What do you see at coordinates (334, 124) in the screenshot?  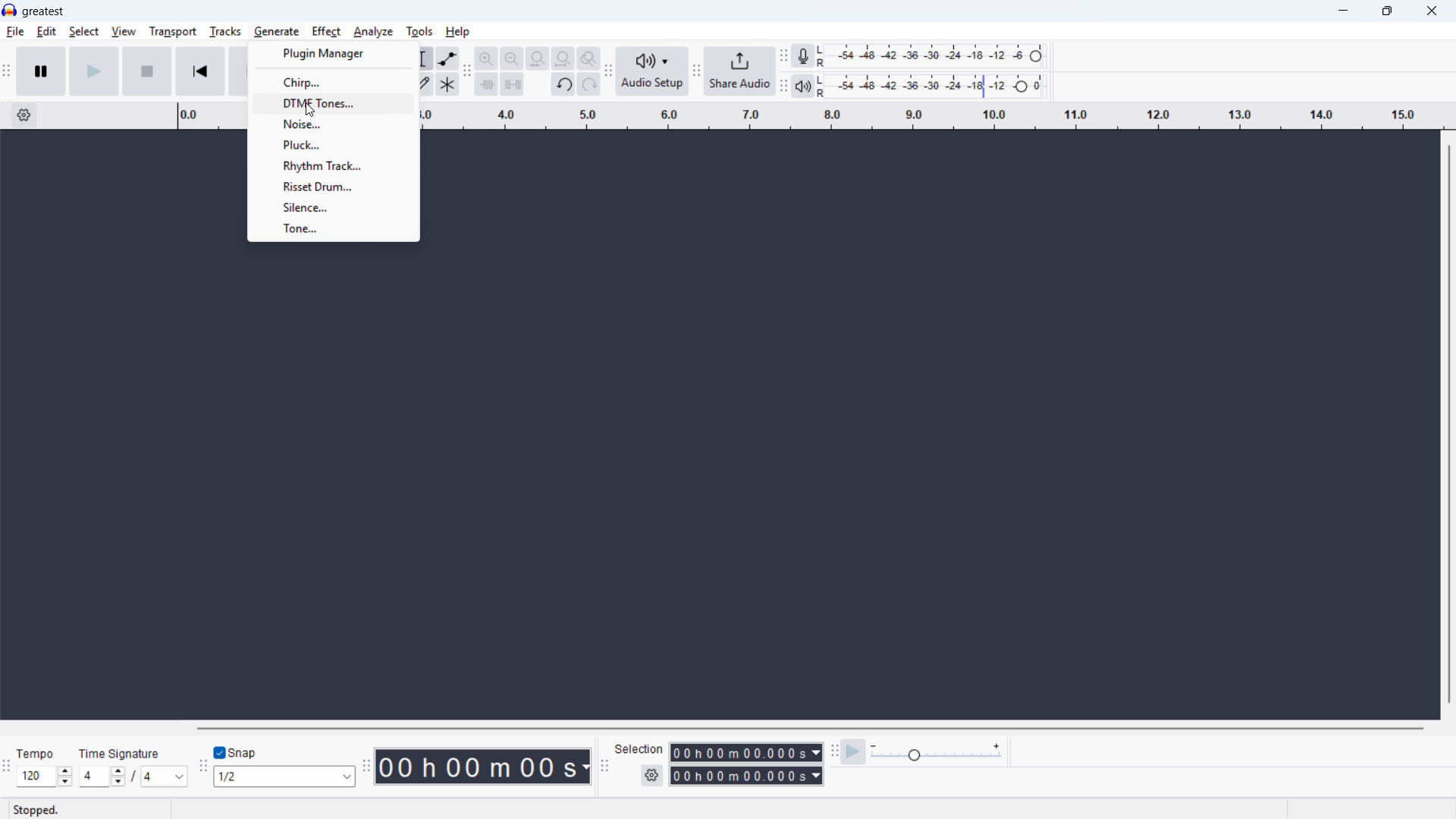 I see `Noise ` at bounding box center [334, 124].